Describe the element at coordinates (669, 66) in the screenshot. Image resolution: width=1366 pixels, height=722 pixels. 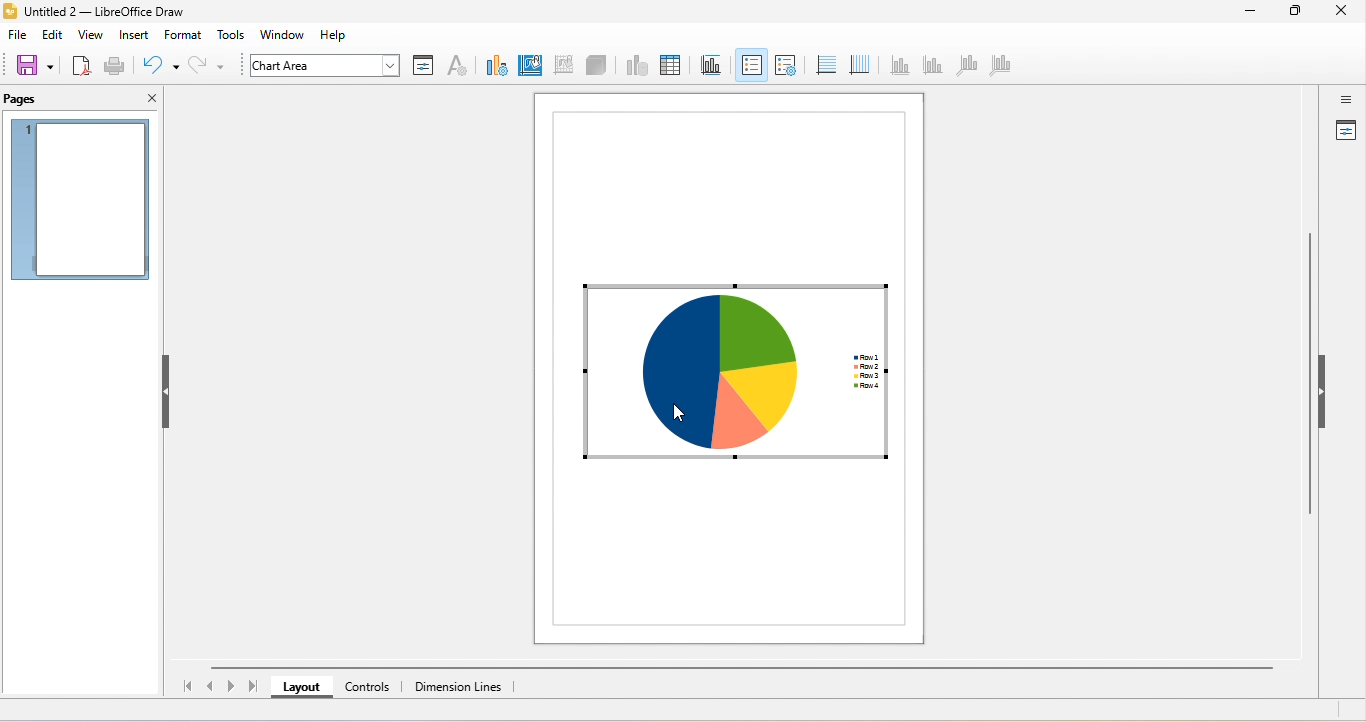
I see `data table` at that location.